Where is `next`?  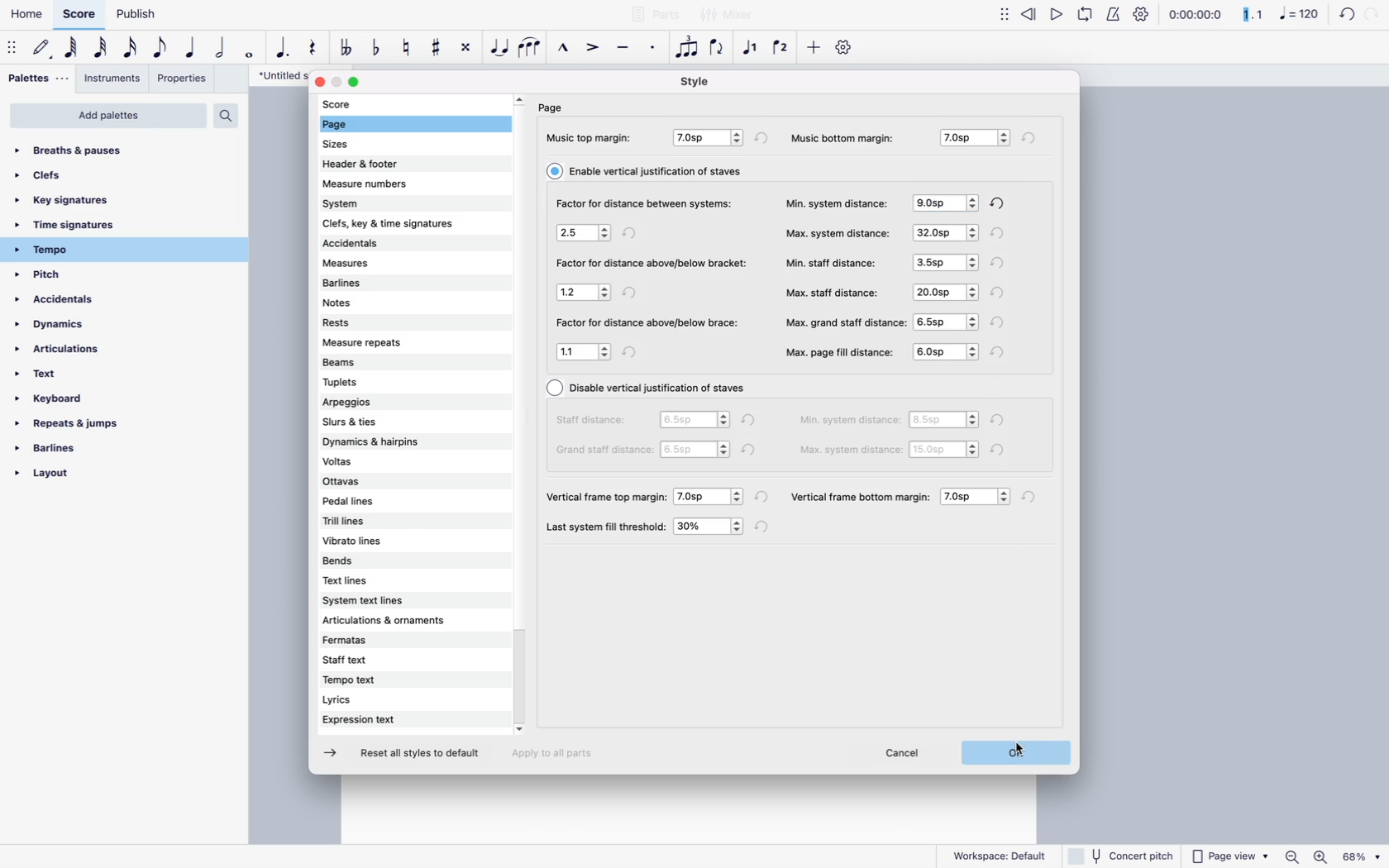 next is located at coordinates (334, 754).